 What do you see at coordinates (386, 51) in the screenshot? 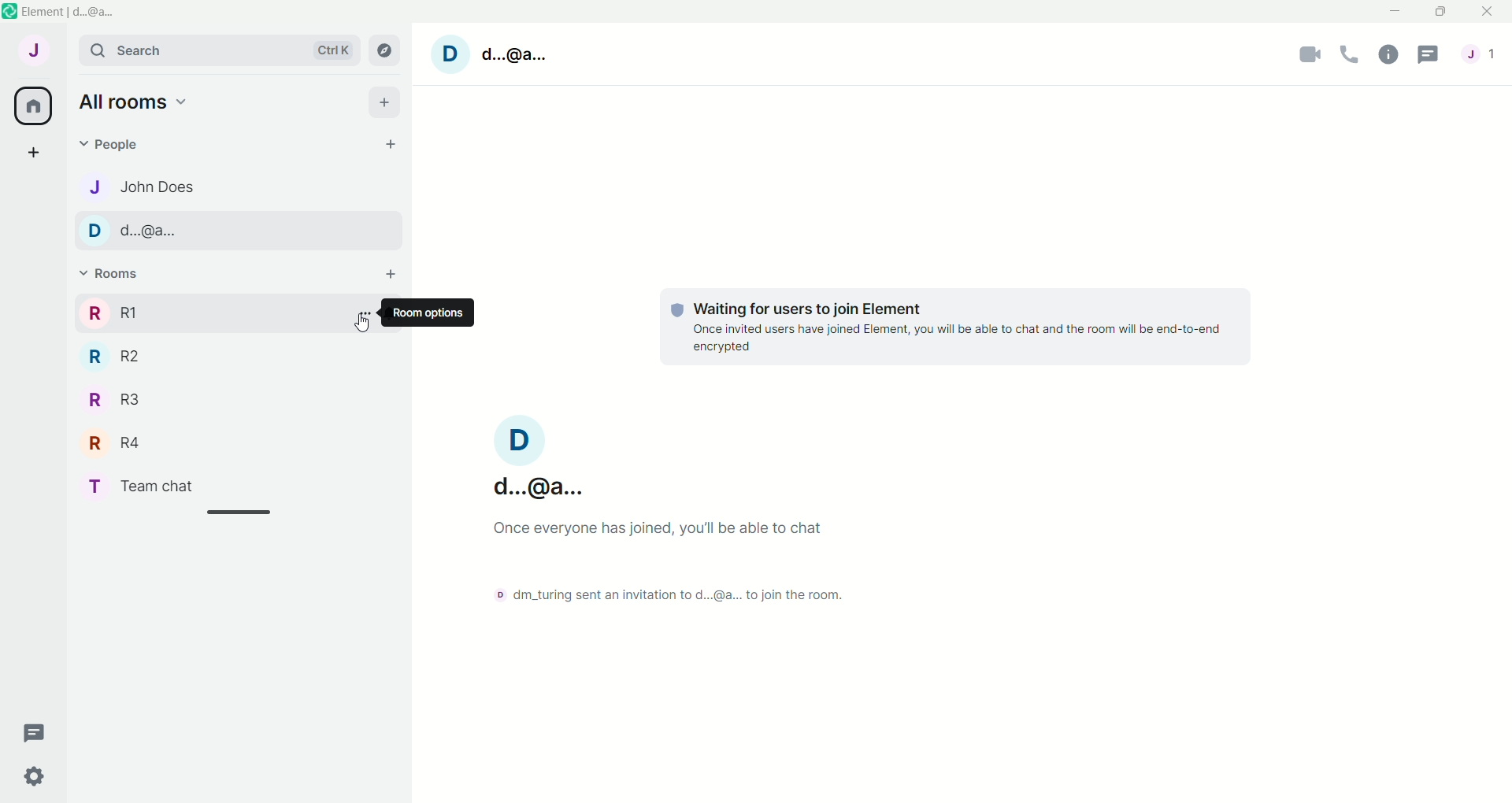
I see `explore rooms` at bounding box center [386, 51].